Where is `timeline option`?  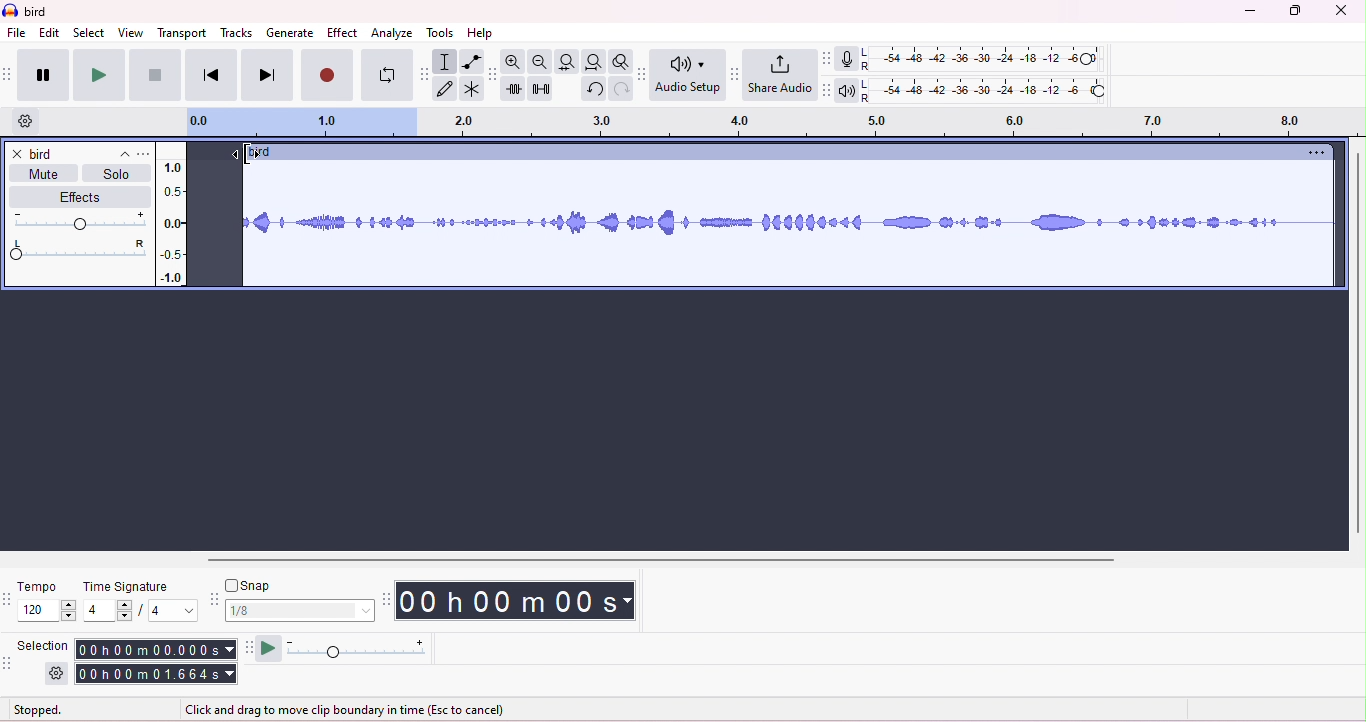
timeline option is located at coordinates (26, 121).